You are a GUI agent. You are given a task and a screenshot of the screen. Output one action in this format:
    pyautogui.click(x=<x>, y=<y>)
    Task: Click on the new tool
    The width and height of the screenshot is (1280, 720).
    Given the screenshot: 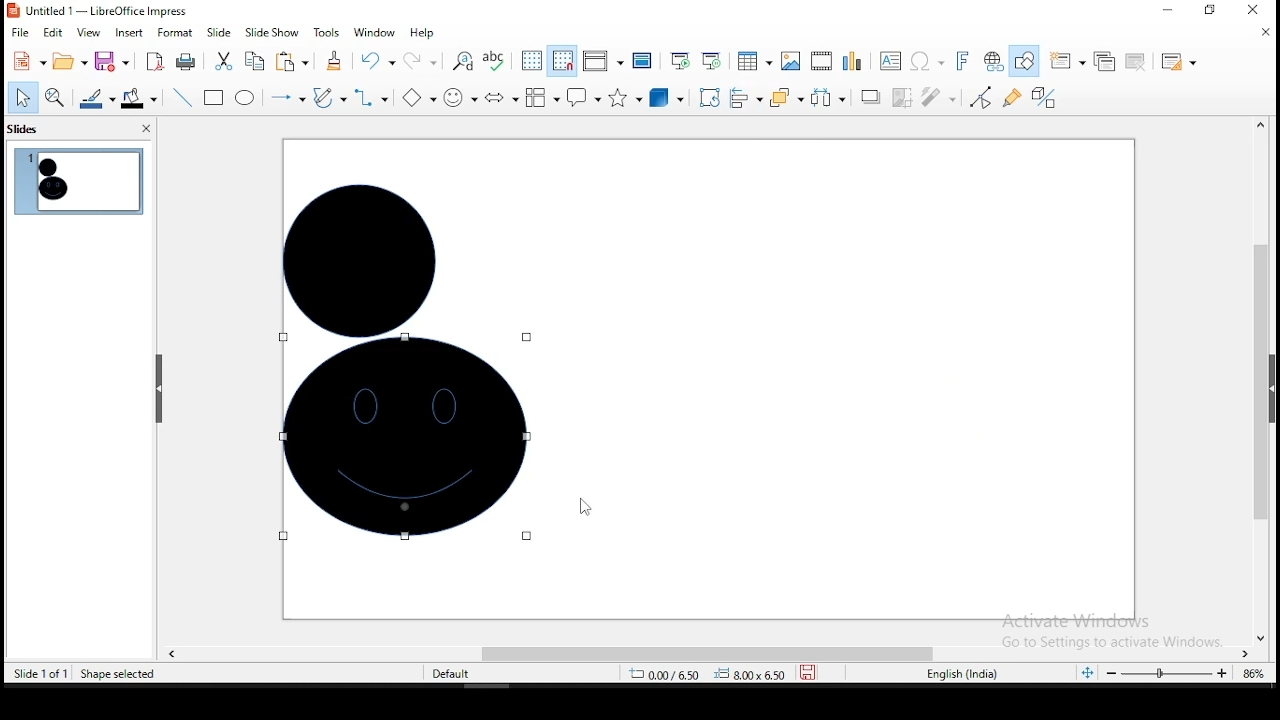 What is the action you would take?
    pyautogui.click(x=28, y=60)
    